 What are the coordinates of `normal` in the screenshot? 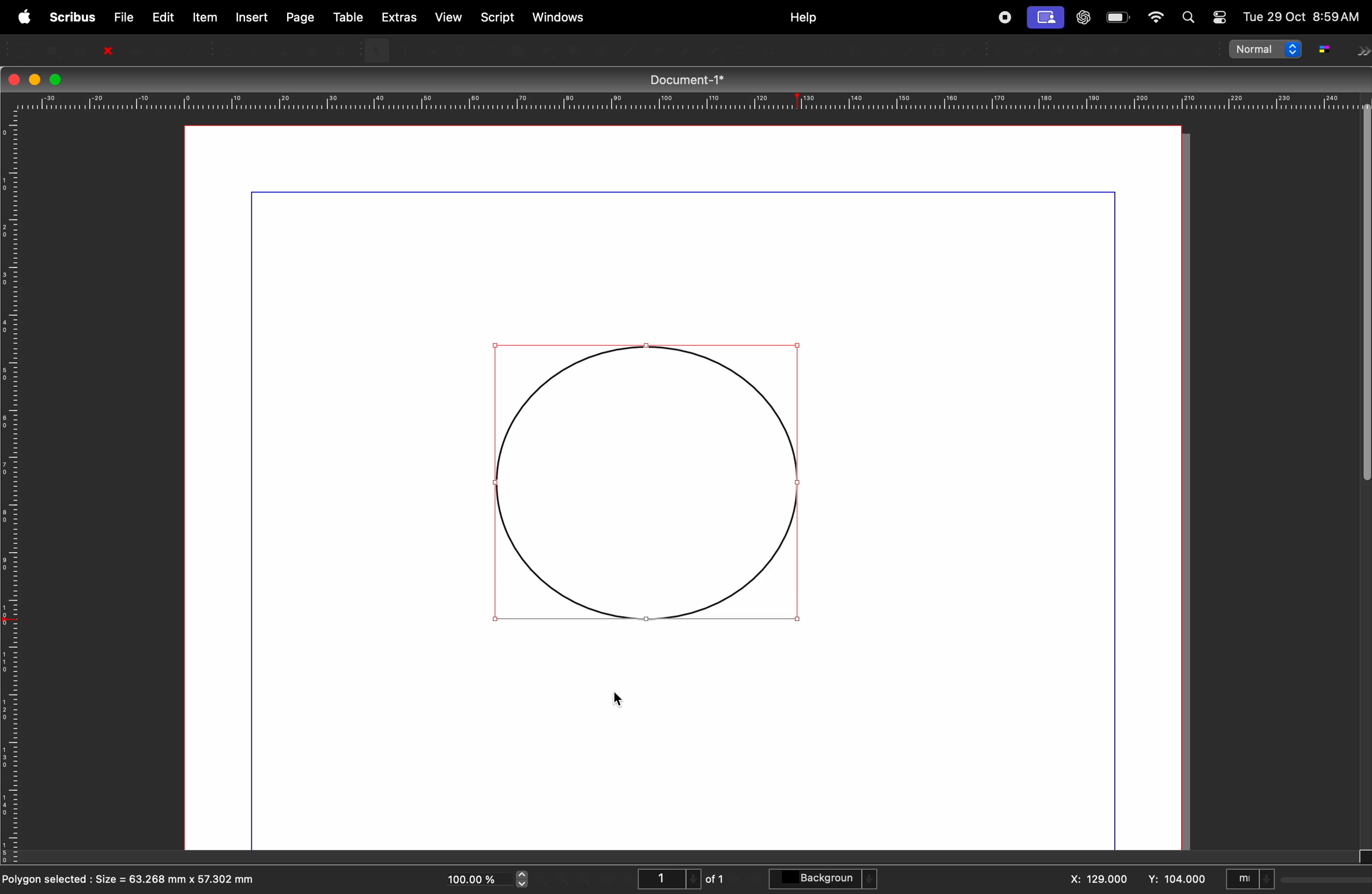 It's located at (1265, 52).